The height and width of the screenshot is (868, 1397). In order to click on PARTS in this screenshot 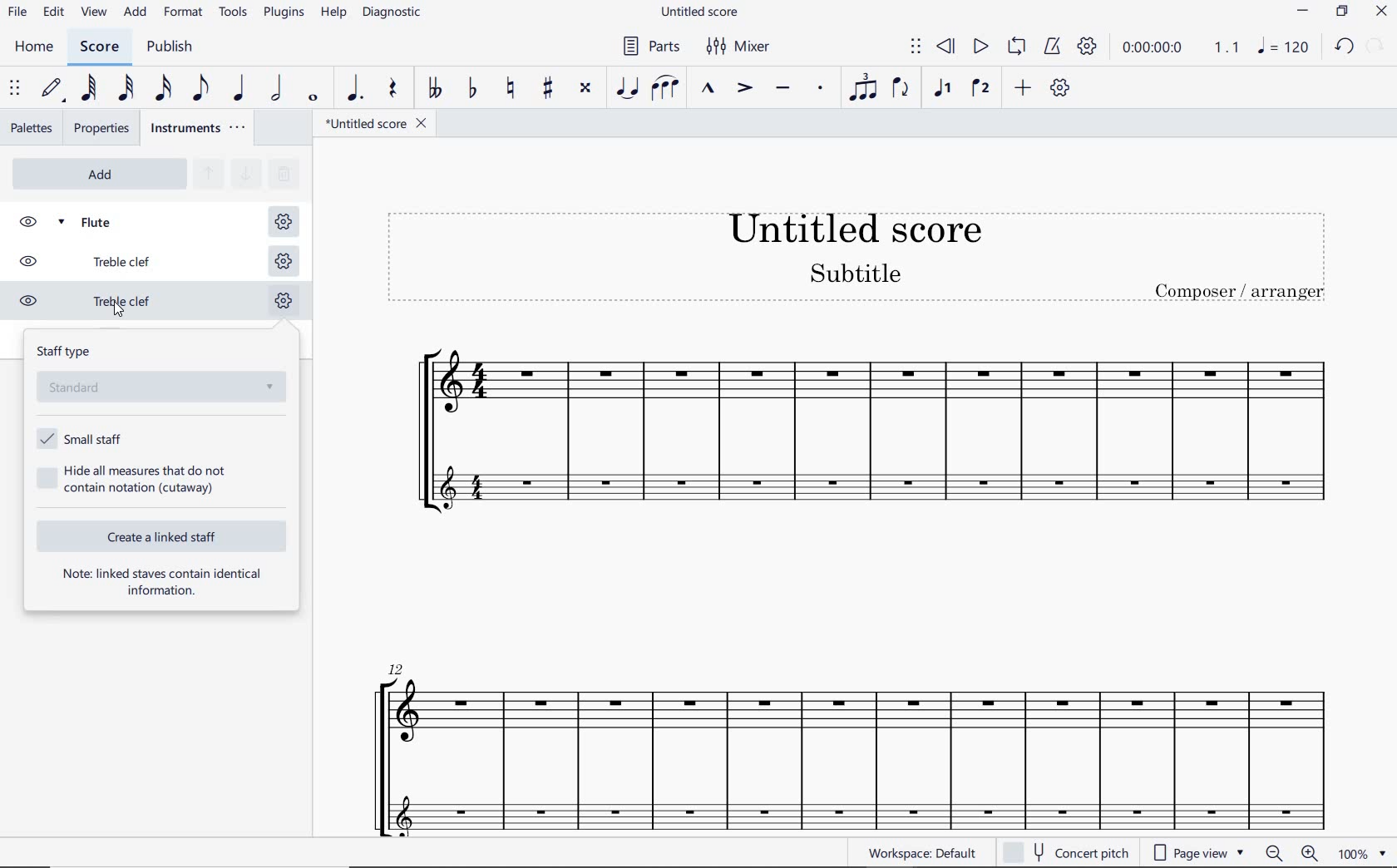, I will do `click(652, 47)`.